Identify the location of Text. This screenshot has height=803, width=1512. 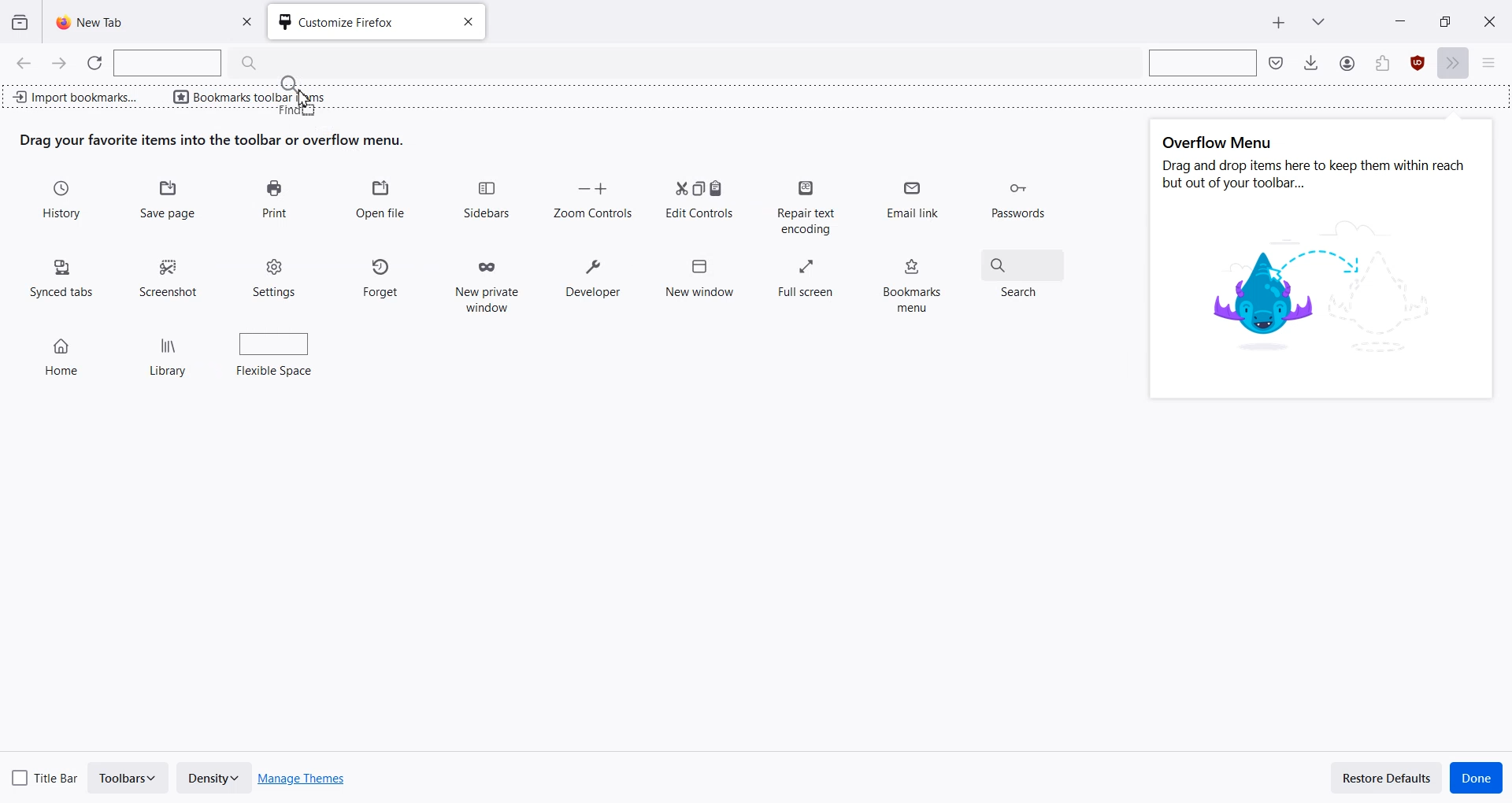
(213, 140).